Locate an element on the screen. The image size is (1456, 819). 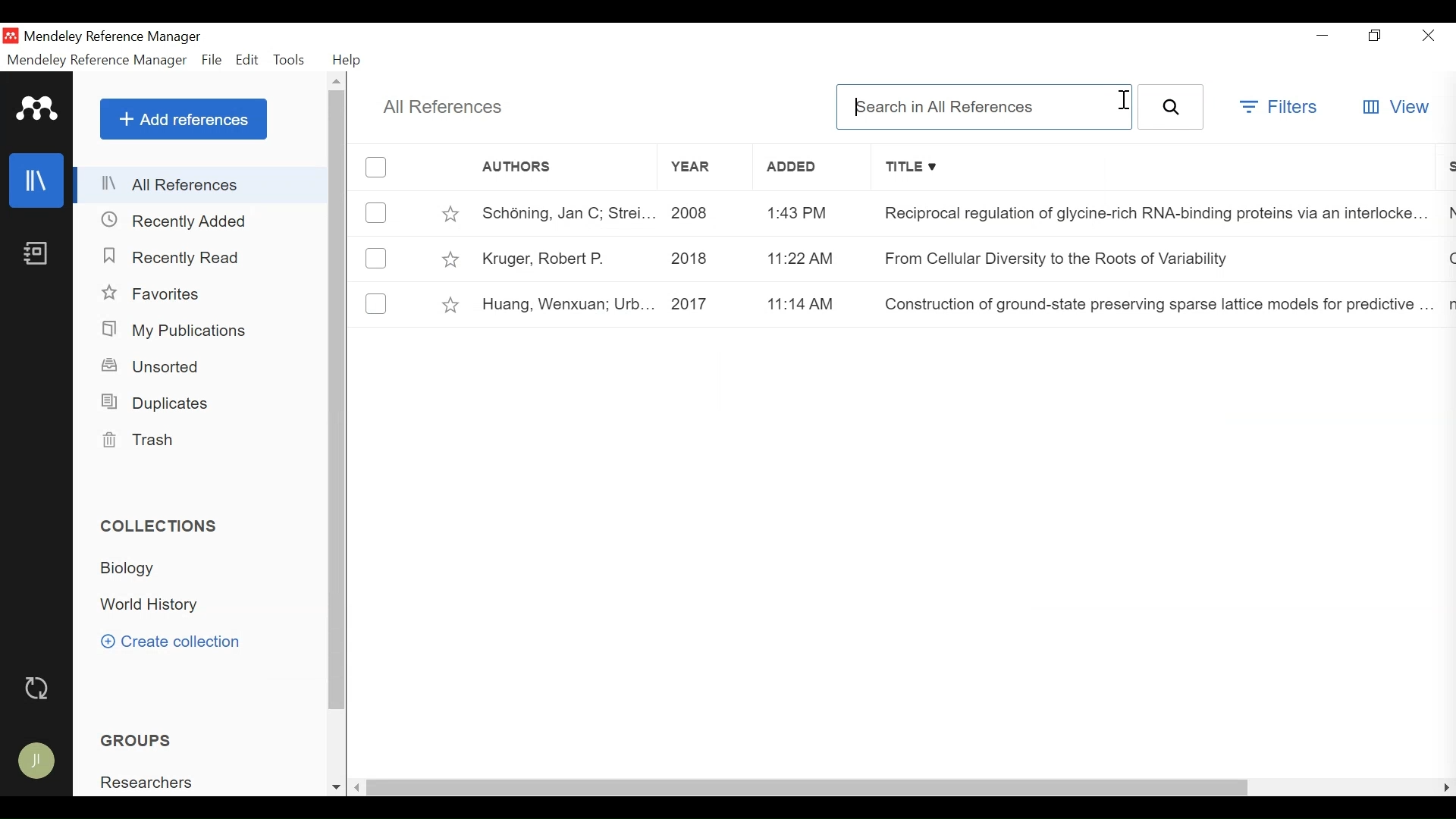
Authors is located at coordinates (547, 168).